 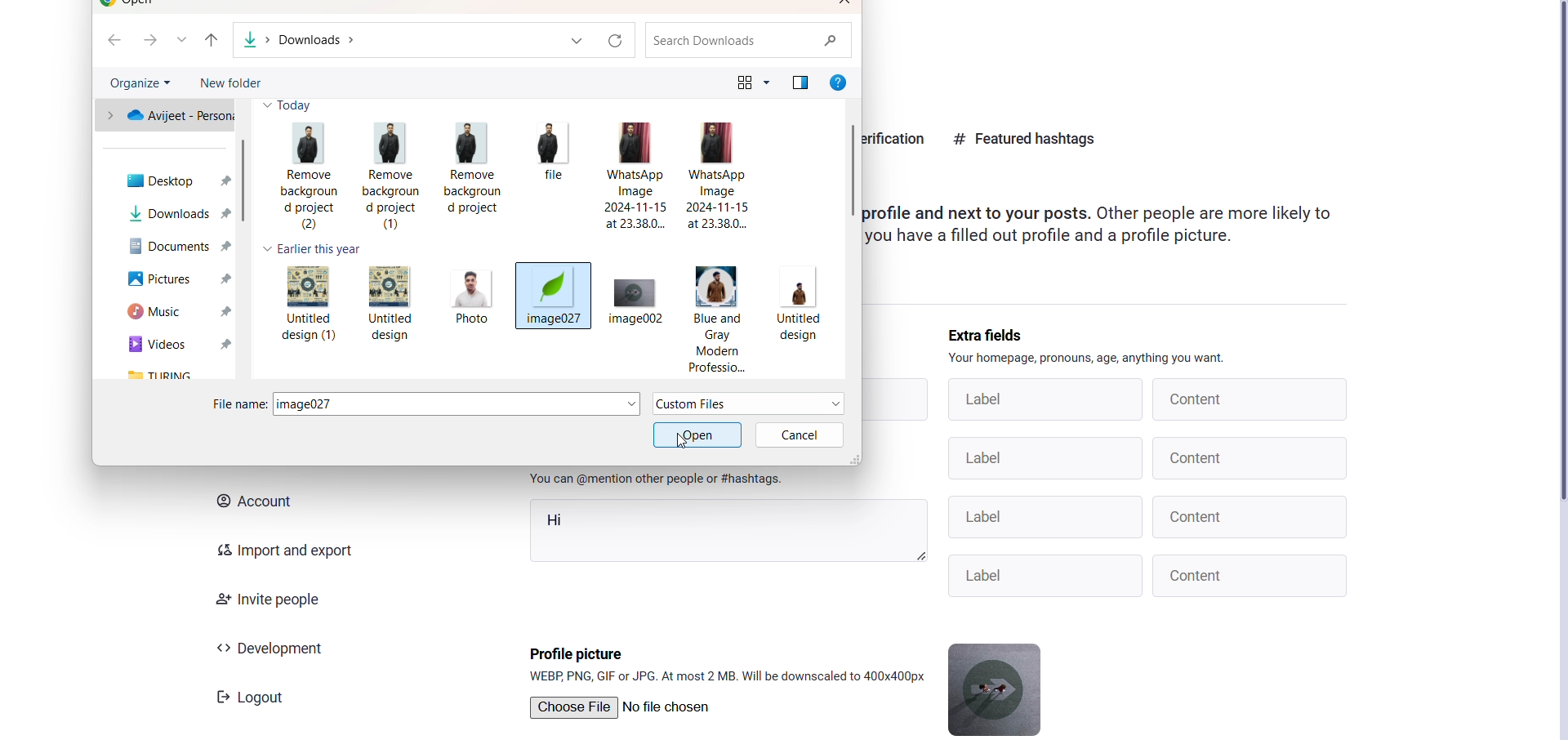 I want to click on turing, so click(x=180, y=375).